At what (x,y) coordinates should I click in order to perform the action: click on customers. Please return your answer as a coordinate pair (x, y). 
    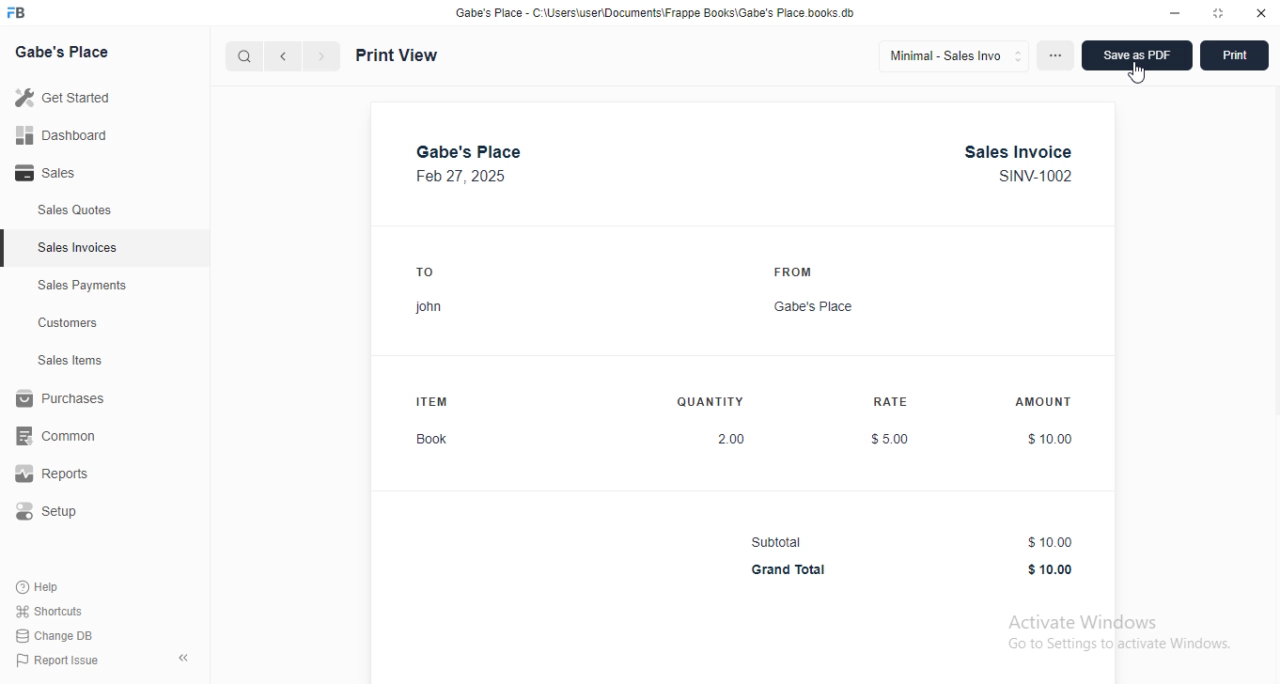
    Looking at the image, I should click on (69, 323).